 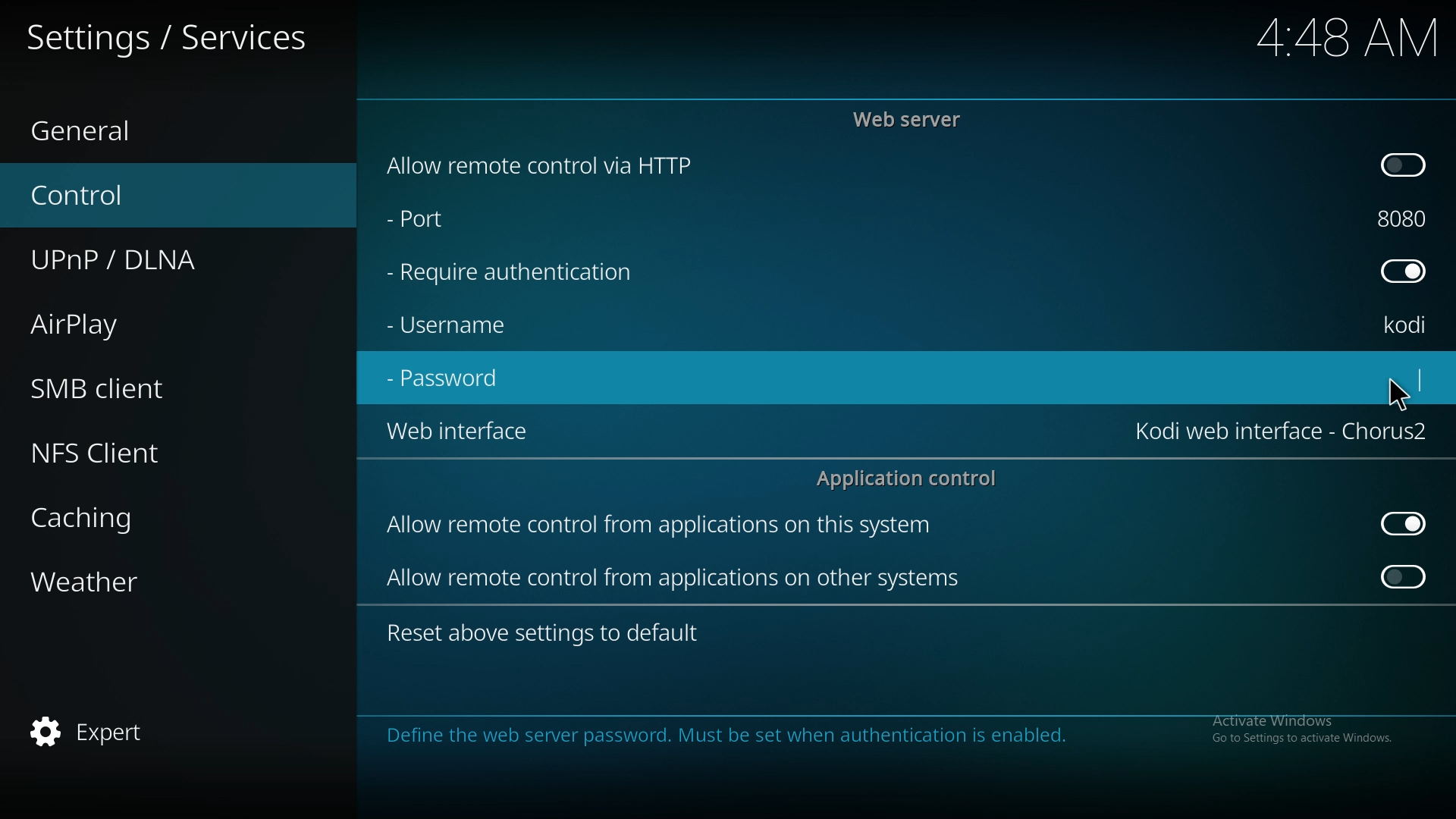 I want to click on username, so click(x=457, y=329).